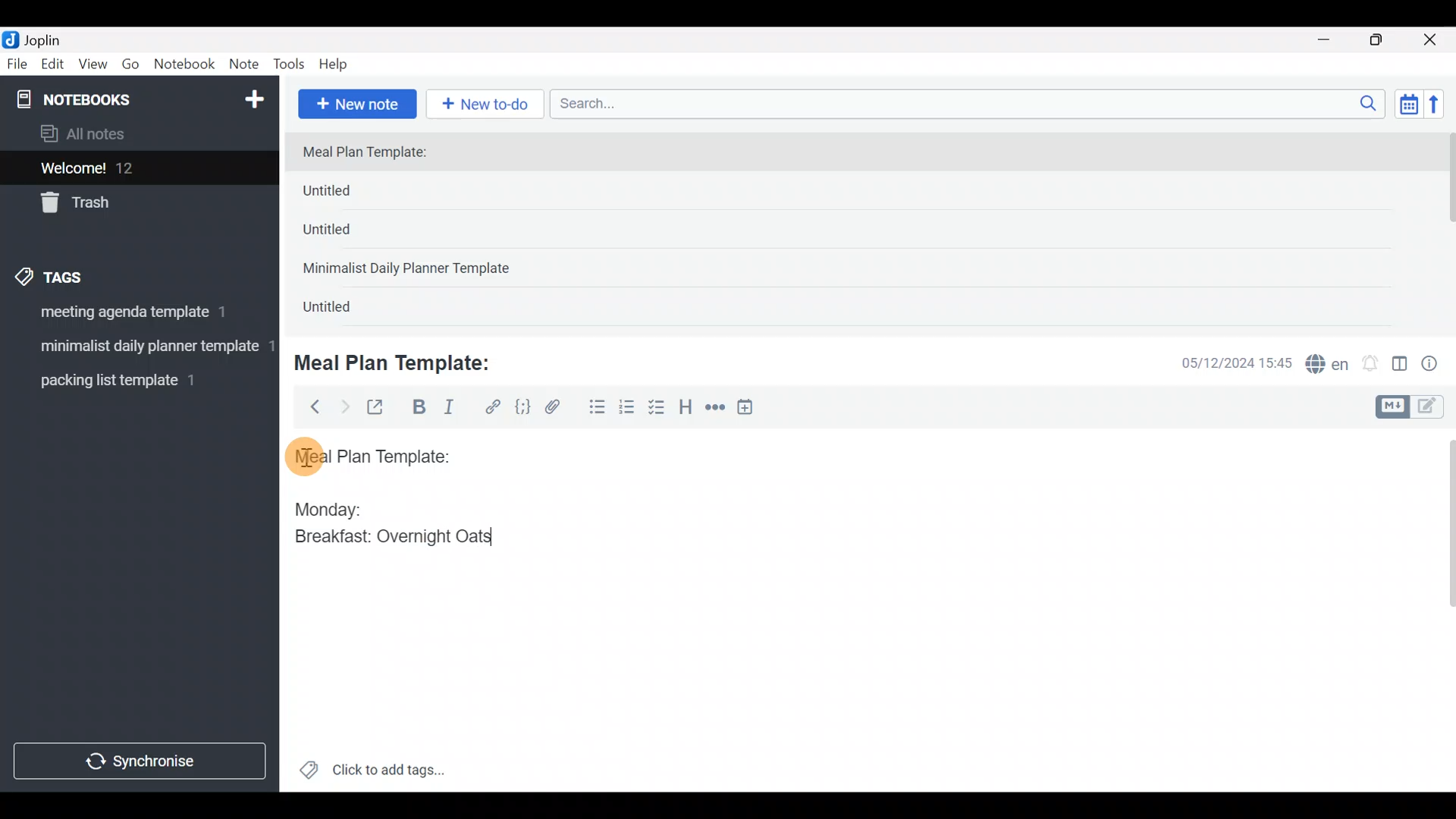  Describe the element at coordinates (247, 65) in the screenshot. I see `Note` at that location.